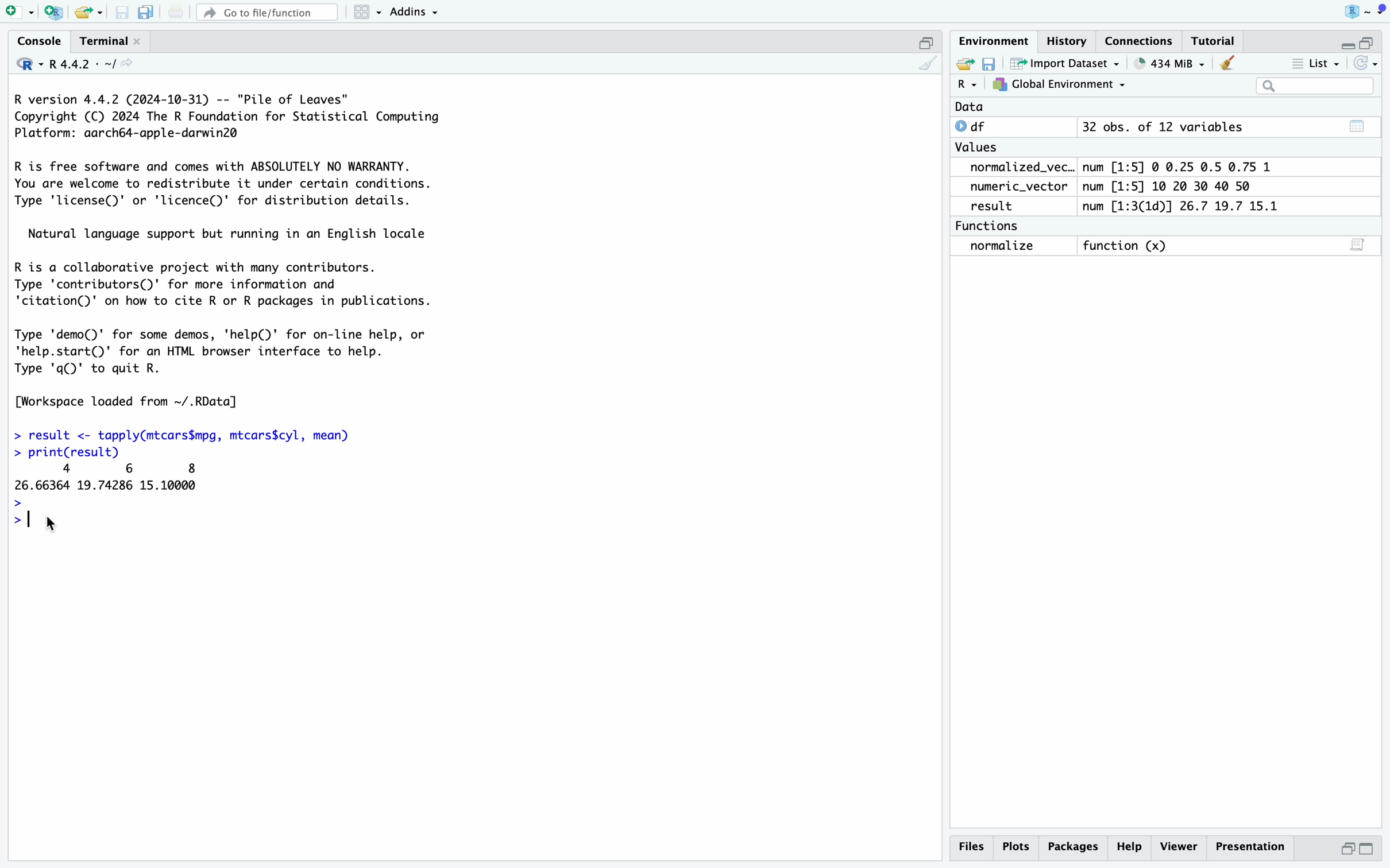 This screenshot has width=1390, height=868. Describe the element at coordinates (994, 40) in the screenshot. I see `Environment` at that location.